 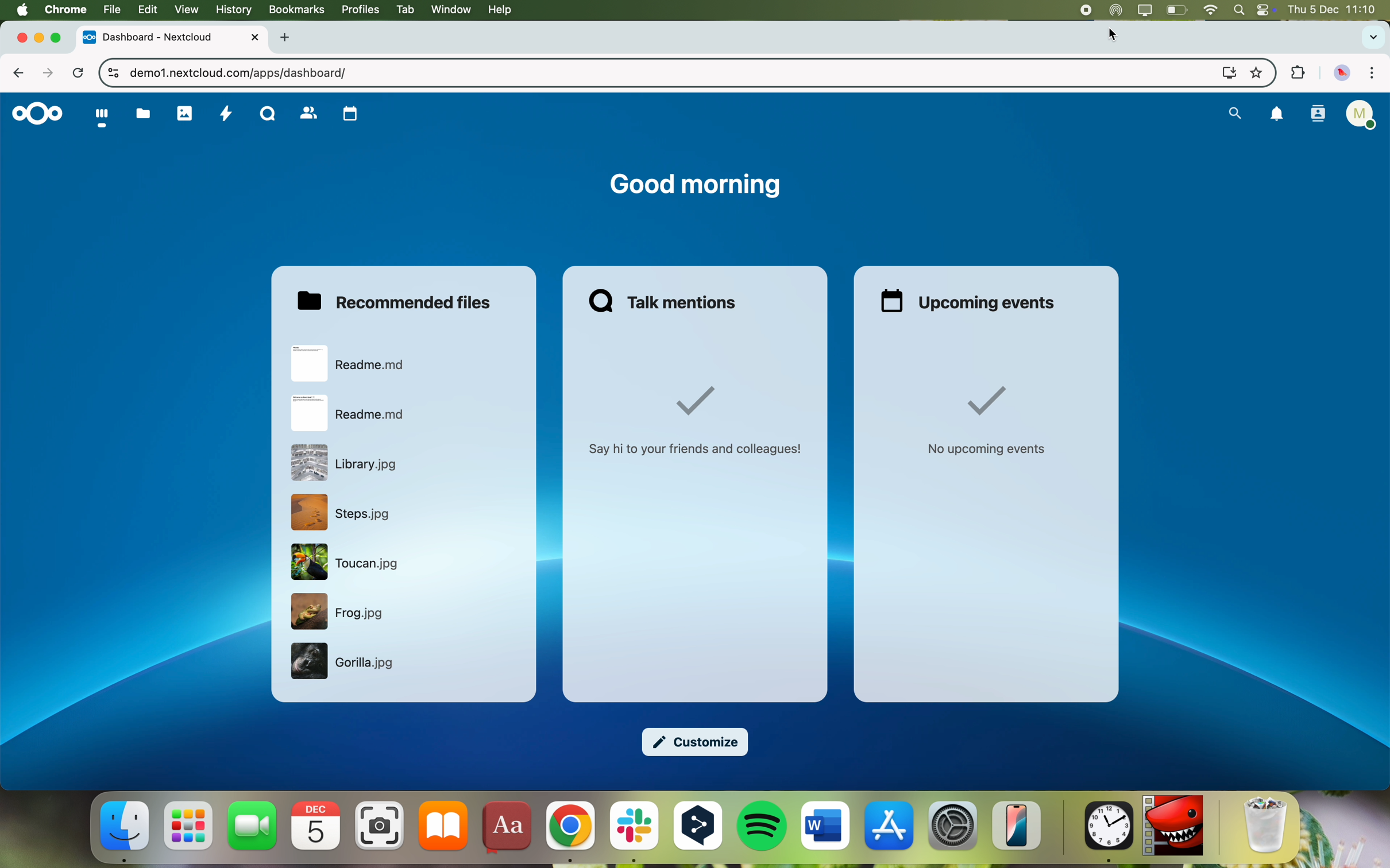 I want to click on Spotify, so click(x=763, y=827).